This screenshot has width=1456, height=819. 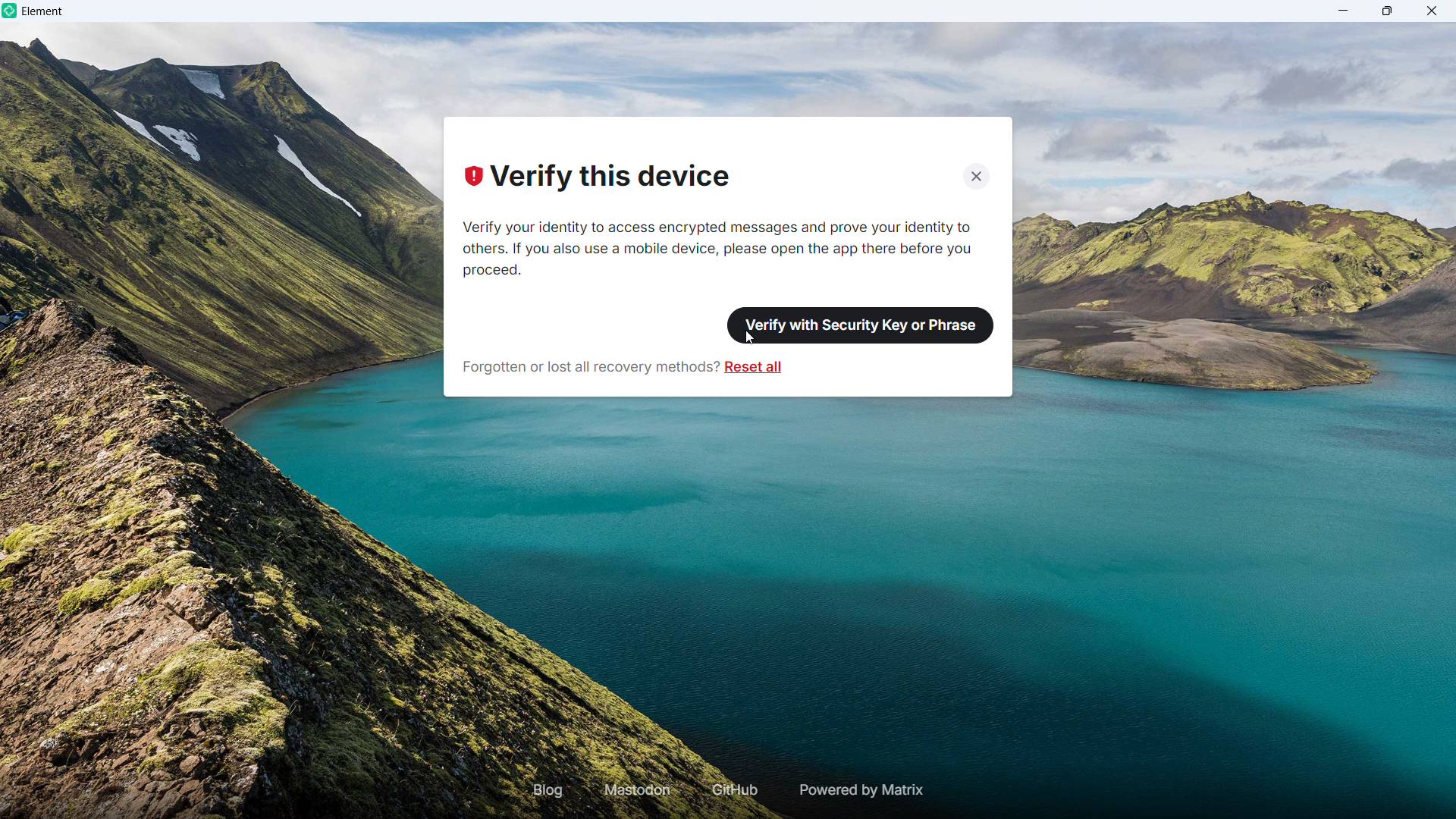 What do you see at coordinates (755, 367) in the screenshot?
I see `Reset all ` at bounding box center [755, 367].